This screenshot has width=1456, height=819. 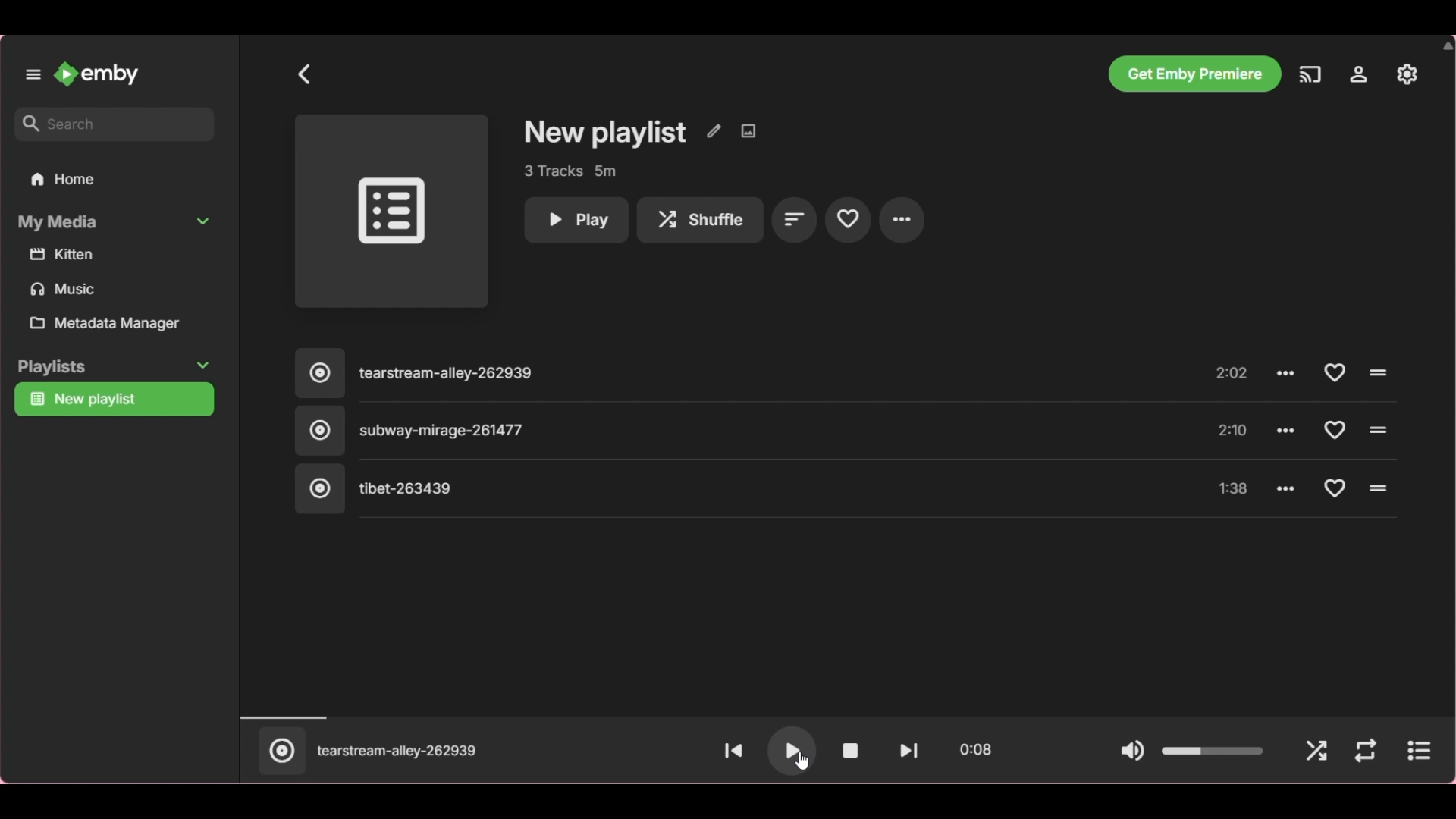 I want to click on Mute, so click(x=1132, y=752).